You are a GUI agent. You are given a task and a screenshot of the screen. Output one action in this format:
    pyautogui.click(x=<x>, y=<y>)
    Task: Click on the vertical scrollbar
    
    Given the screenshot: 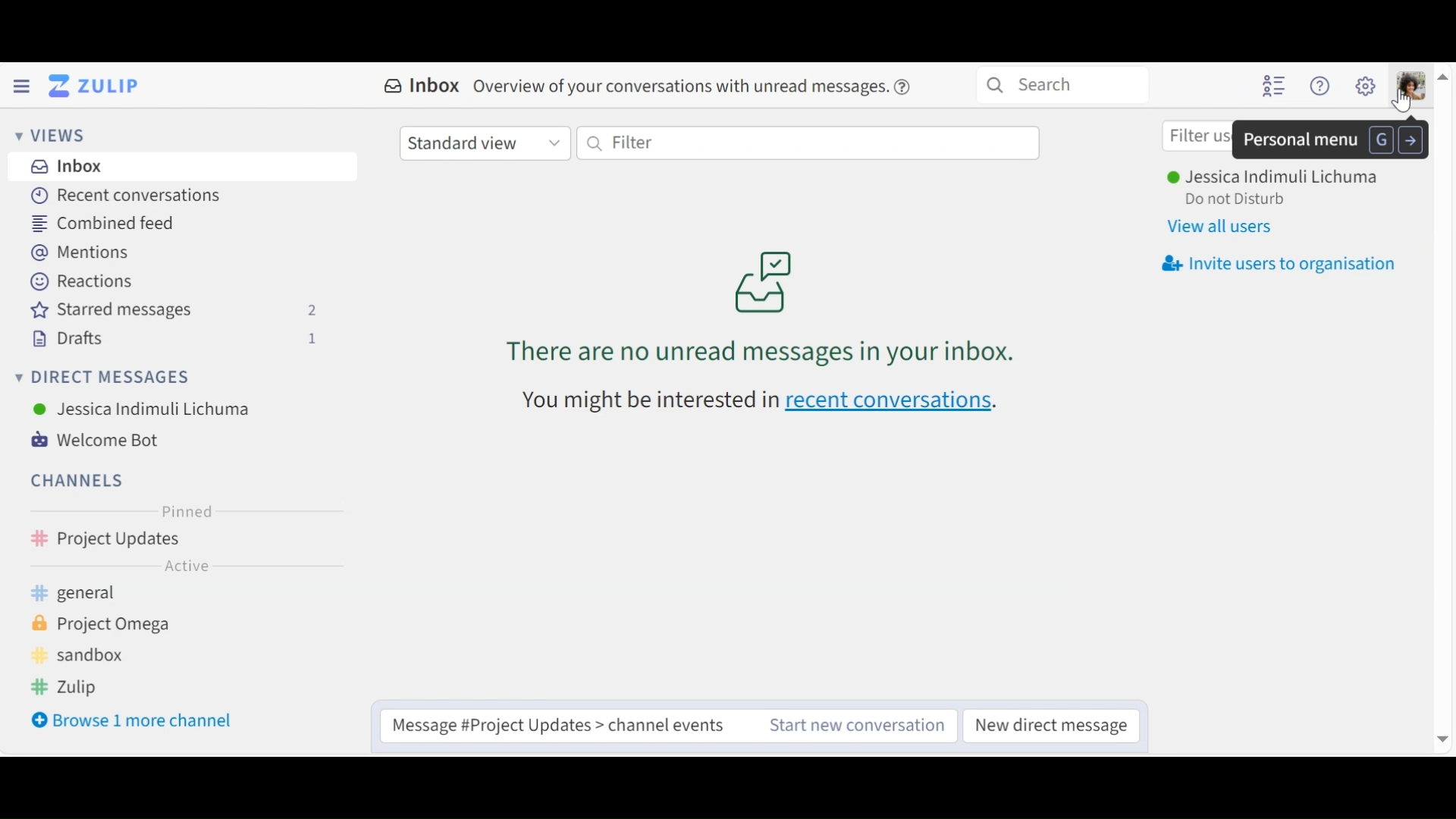 What is the action you would take?
    pyautogui.click(x=1443, y=408)
    